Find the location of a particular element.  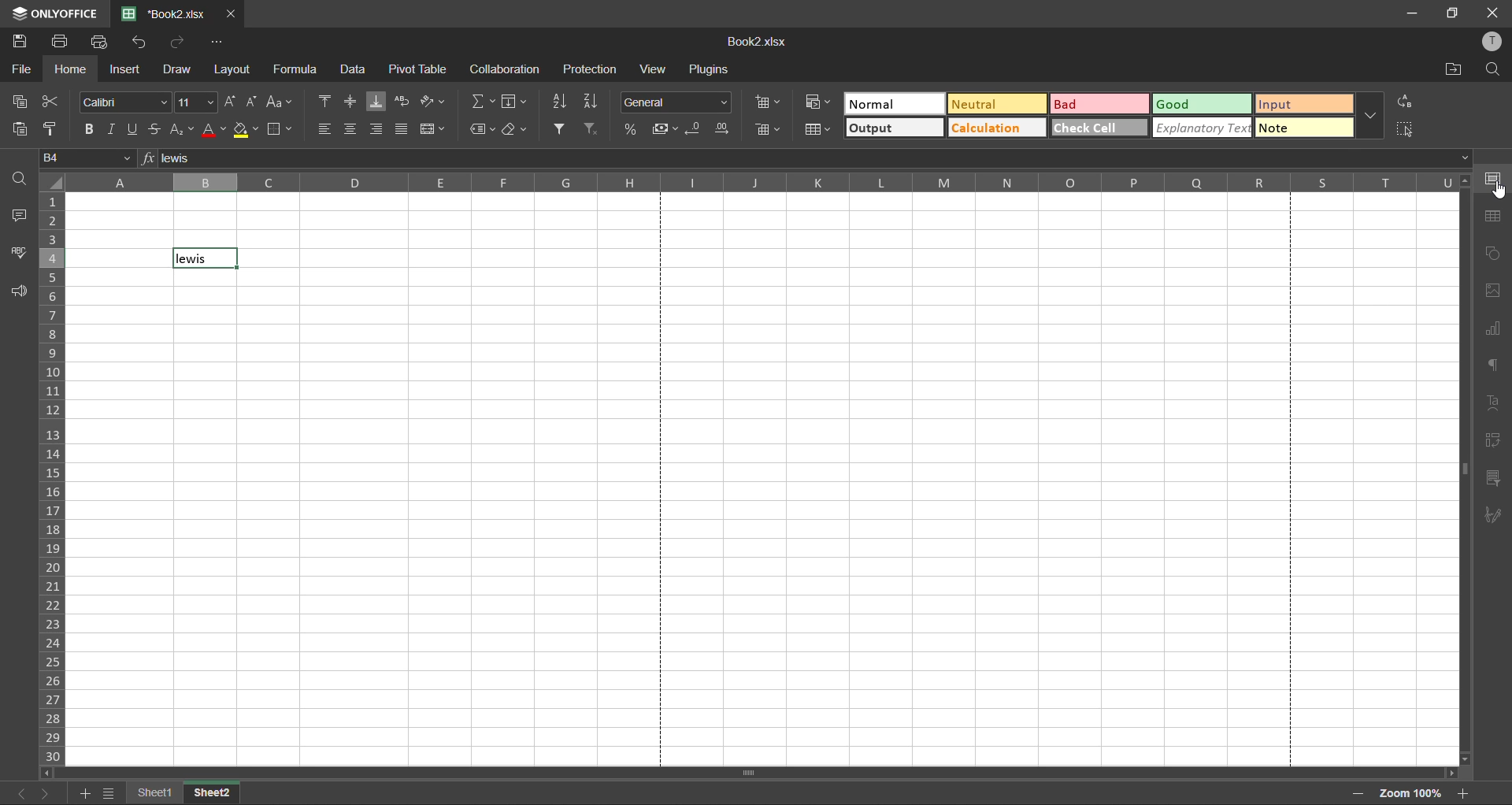

zoom factor is located at coordinates (1410, 792).